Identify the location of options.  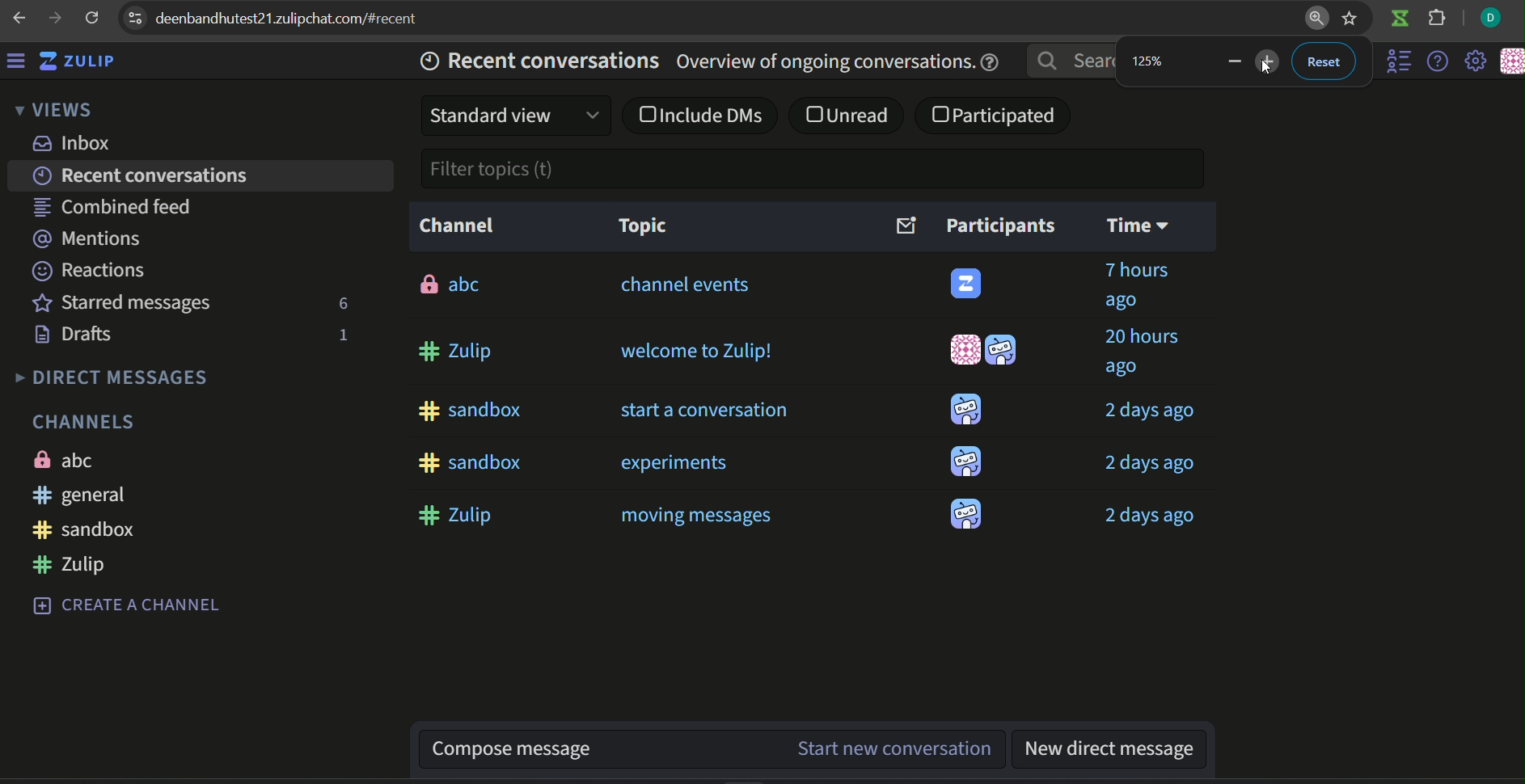
(134, 16).